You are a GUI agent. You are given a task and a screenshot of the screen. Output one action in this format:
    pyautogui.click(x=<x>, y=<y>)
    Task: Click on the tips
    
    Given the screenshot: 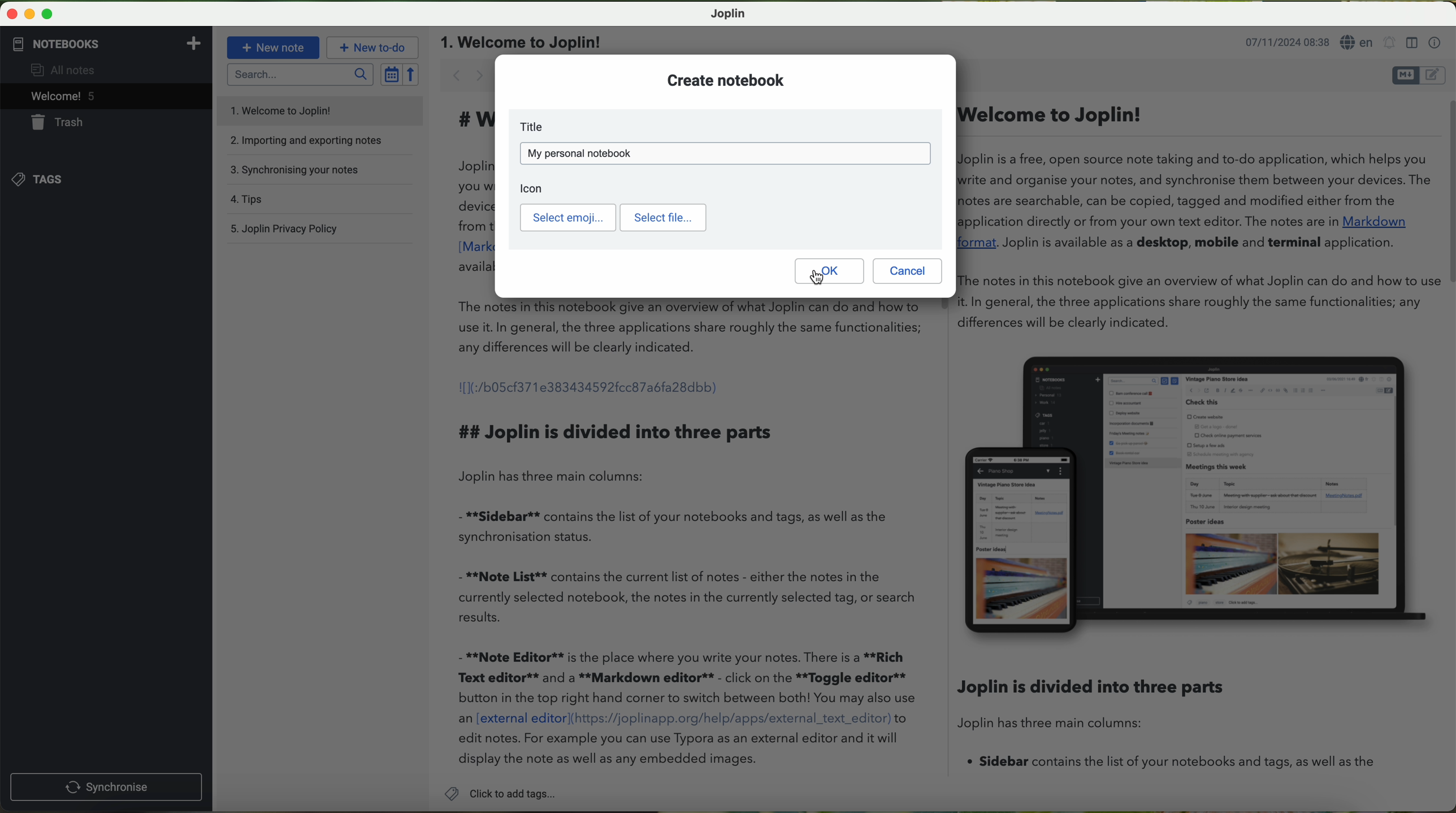 What is the action you would take?
    pyautogui.click(x=249, y=200)
    